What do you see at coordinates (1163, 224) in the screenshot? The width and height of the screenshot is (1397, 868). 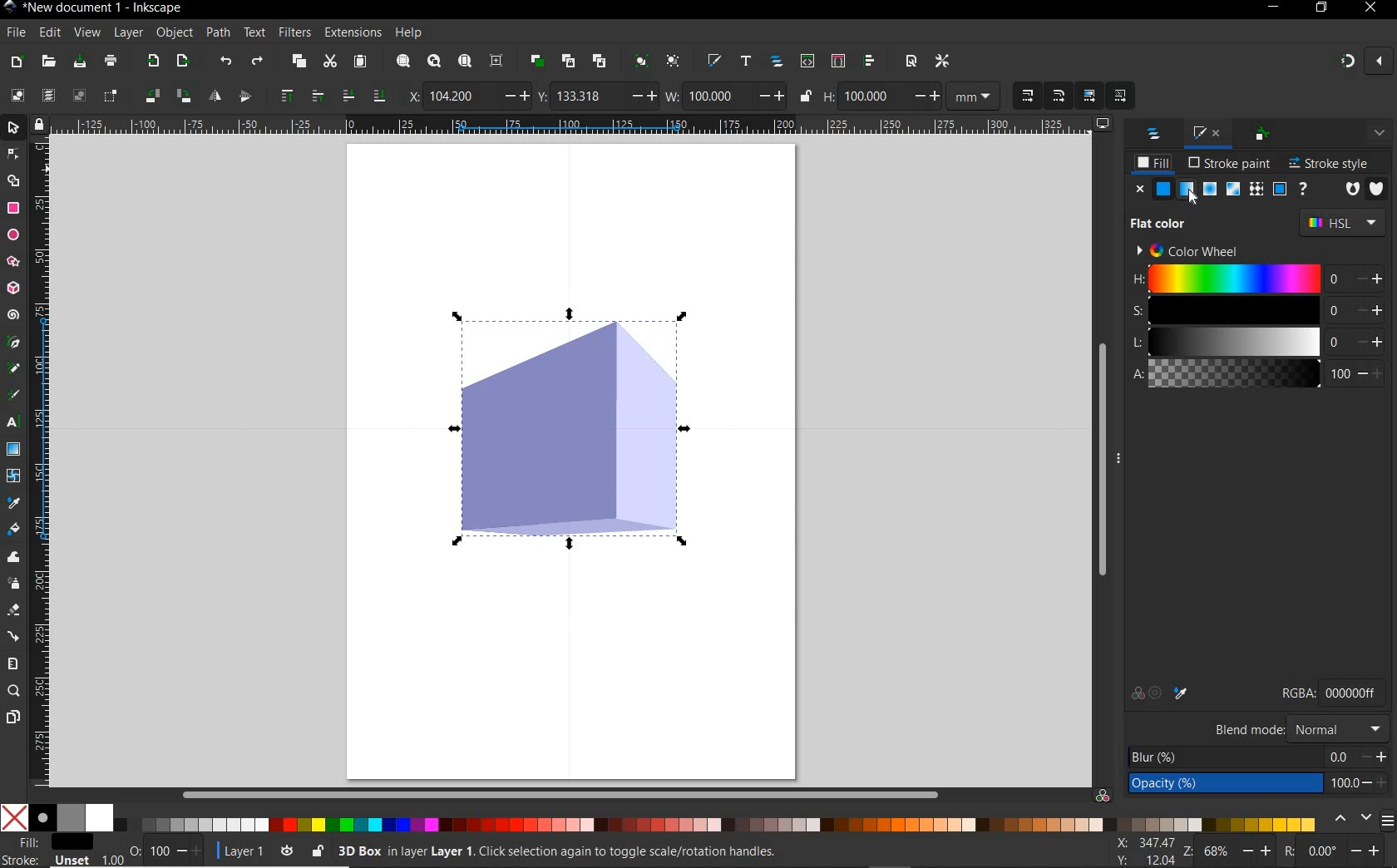 I see `FLAT COLOR` at bounding box center [1163, 224].